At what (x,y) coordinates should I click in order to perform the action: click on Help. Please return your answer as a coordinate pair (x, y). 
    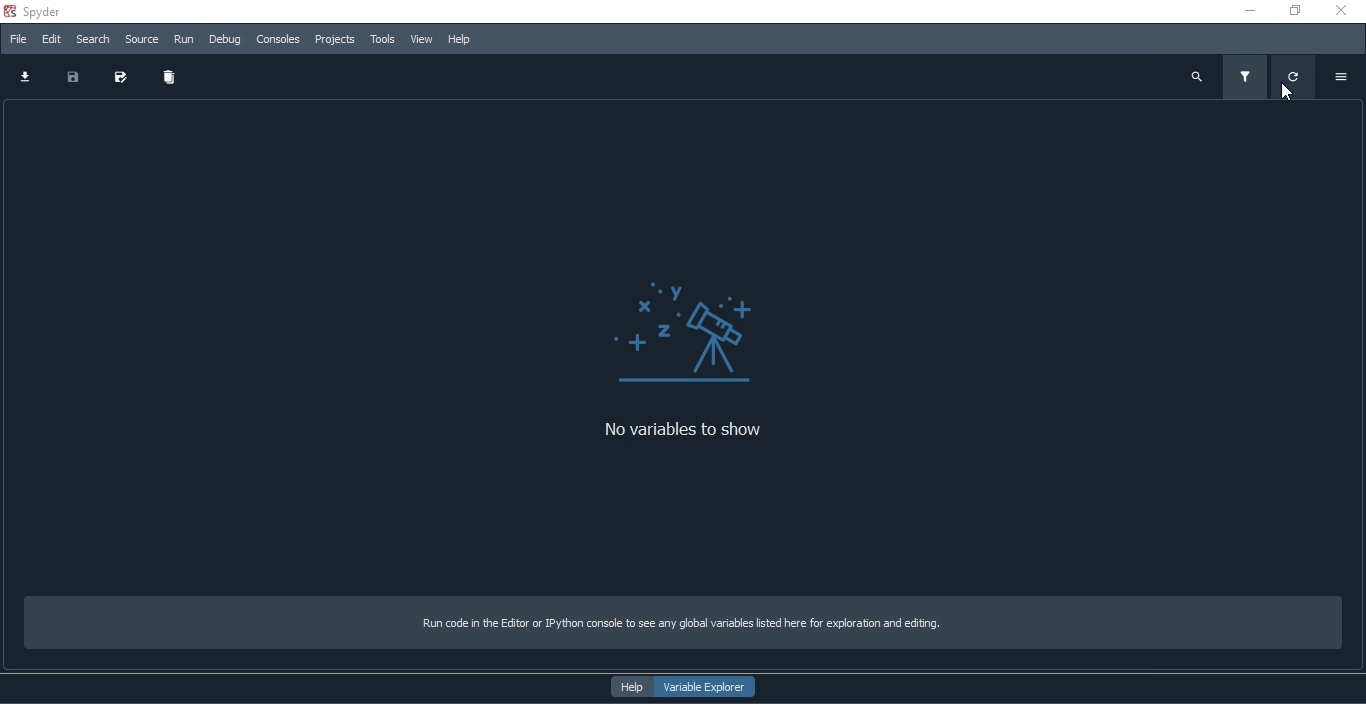
    Looking at the image, I should click on (459, 40).